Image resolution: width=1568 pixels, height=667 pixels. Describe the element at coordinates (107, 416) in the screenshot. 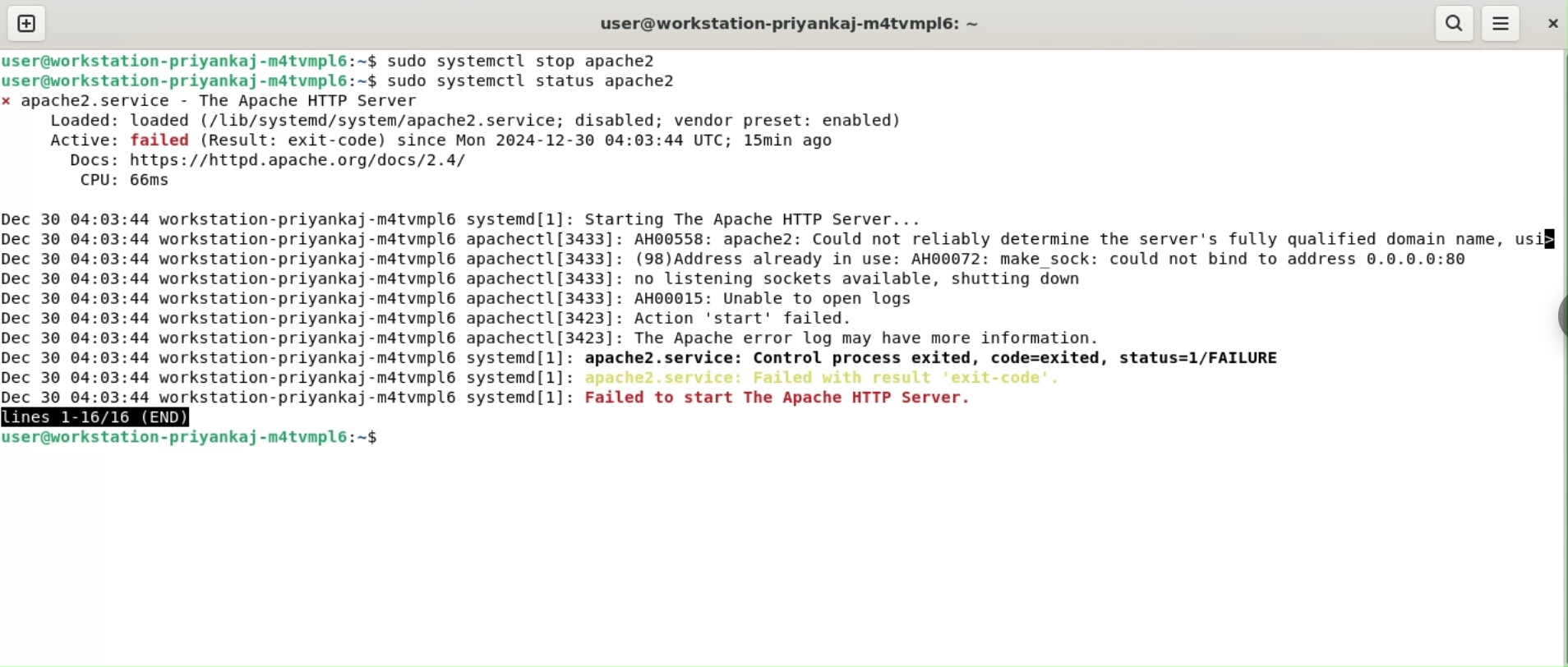

I see `Lines 1-16/16 (END)` at that location.